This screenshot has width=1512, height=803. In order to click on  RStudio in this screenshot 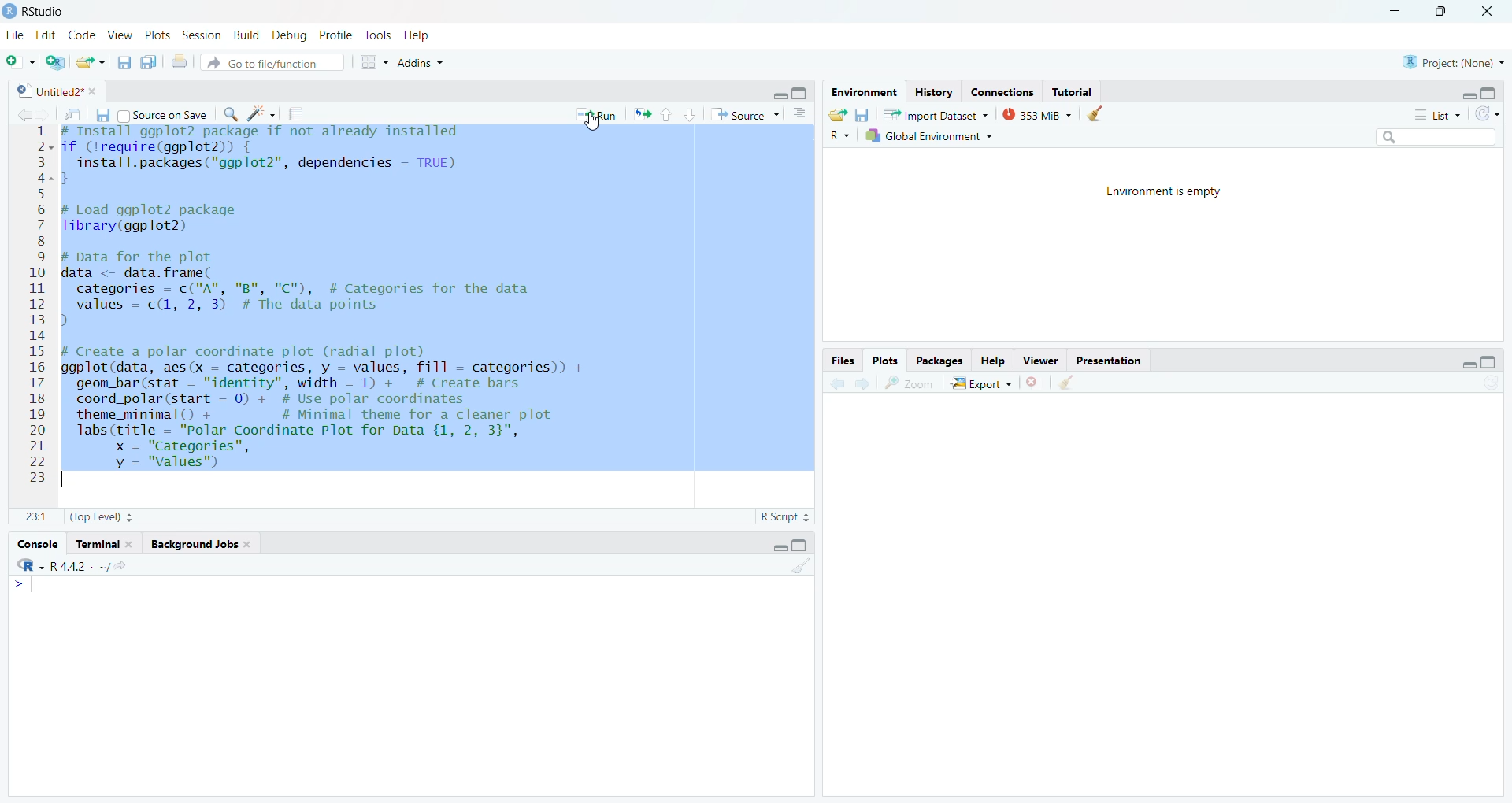, I will do `click(38, 10)`.